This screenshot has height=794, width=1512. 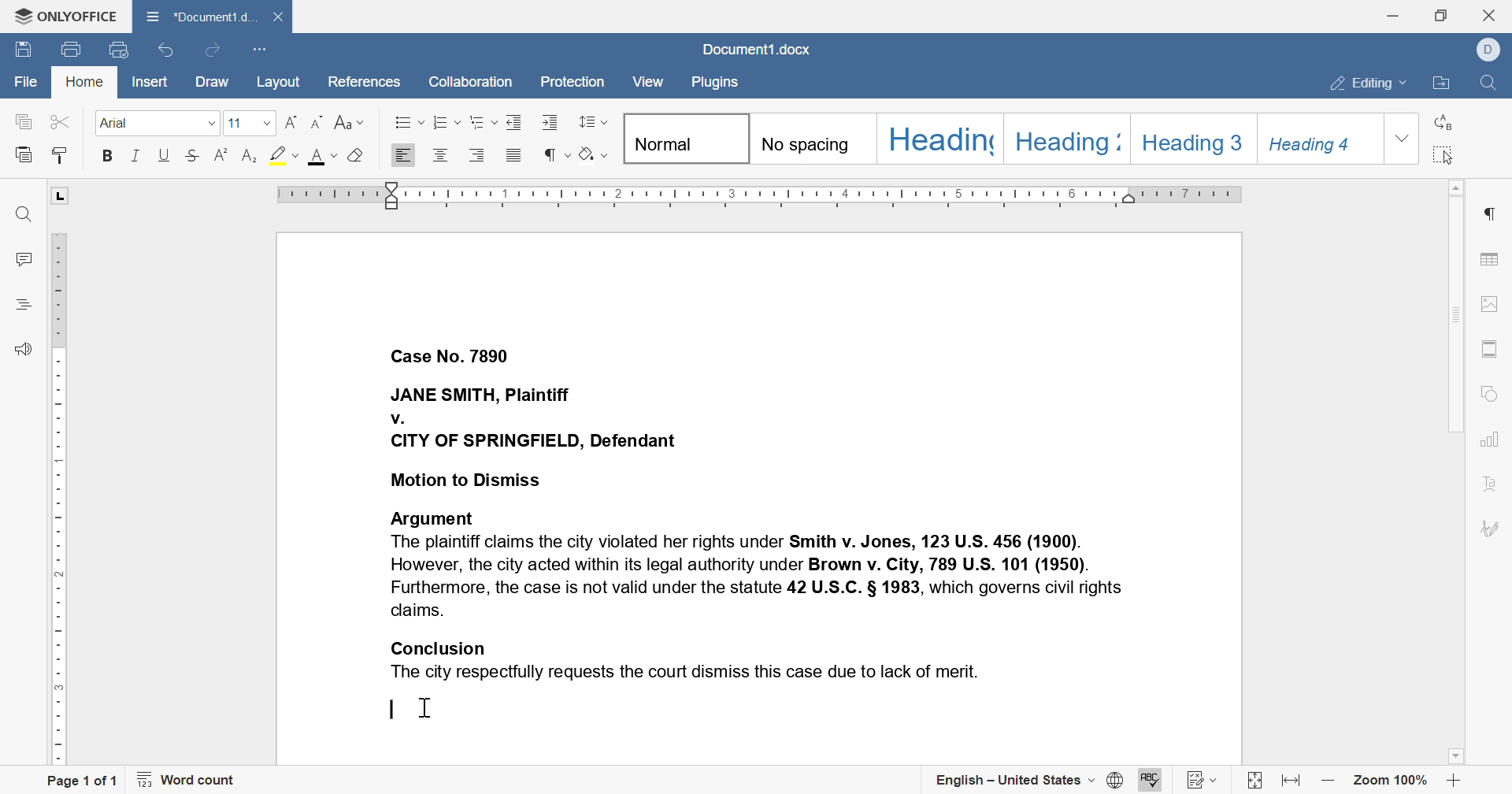 What do you see at coordinates (1453, 306) in the screenshot?
I see `scroll bar` at bounding box center [1453, 306].